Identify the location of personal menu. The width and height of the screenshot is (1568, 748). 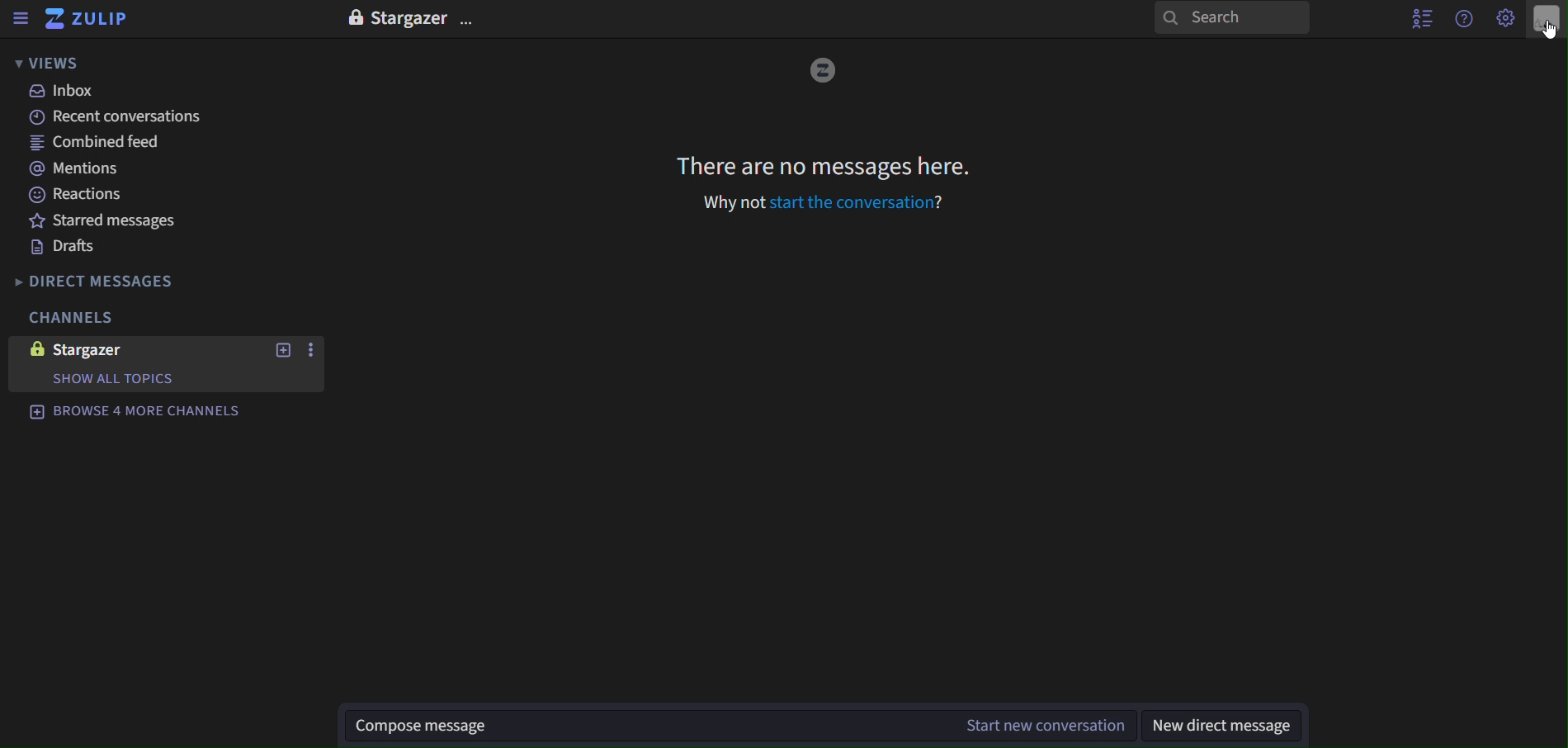
(1545, 22).